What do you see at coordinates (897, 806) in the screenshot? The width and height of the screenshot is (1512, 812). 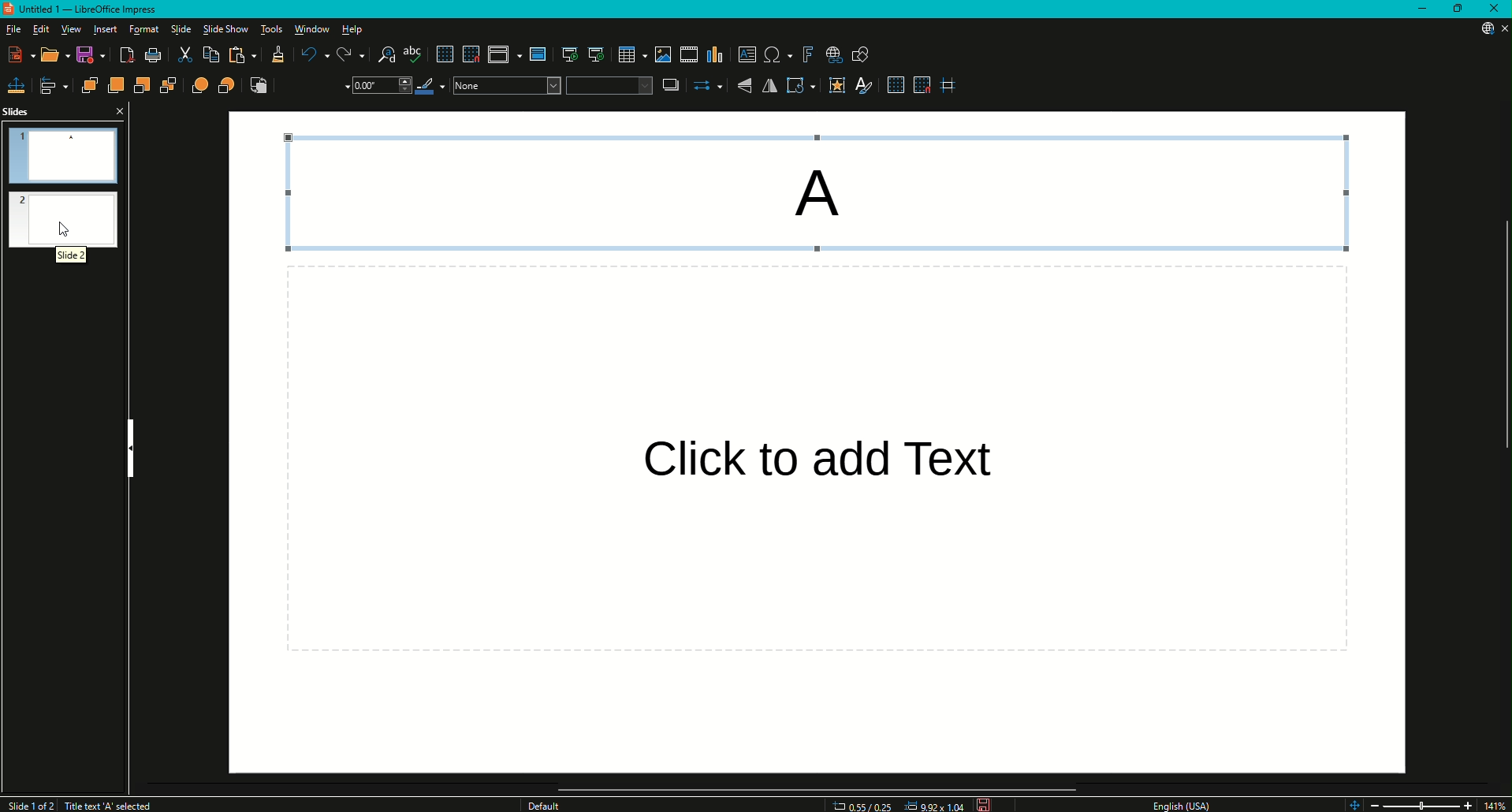 I see `Dimensions` at bounding box center [897, 806].